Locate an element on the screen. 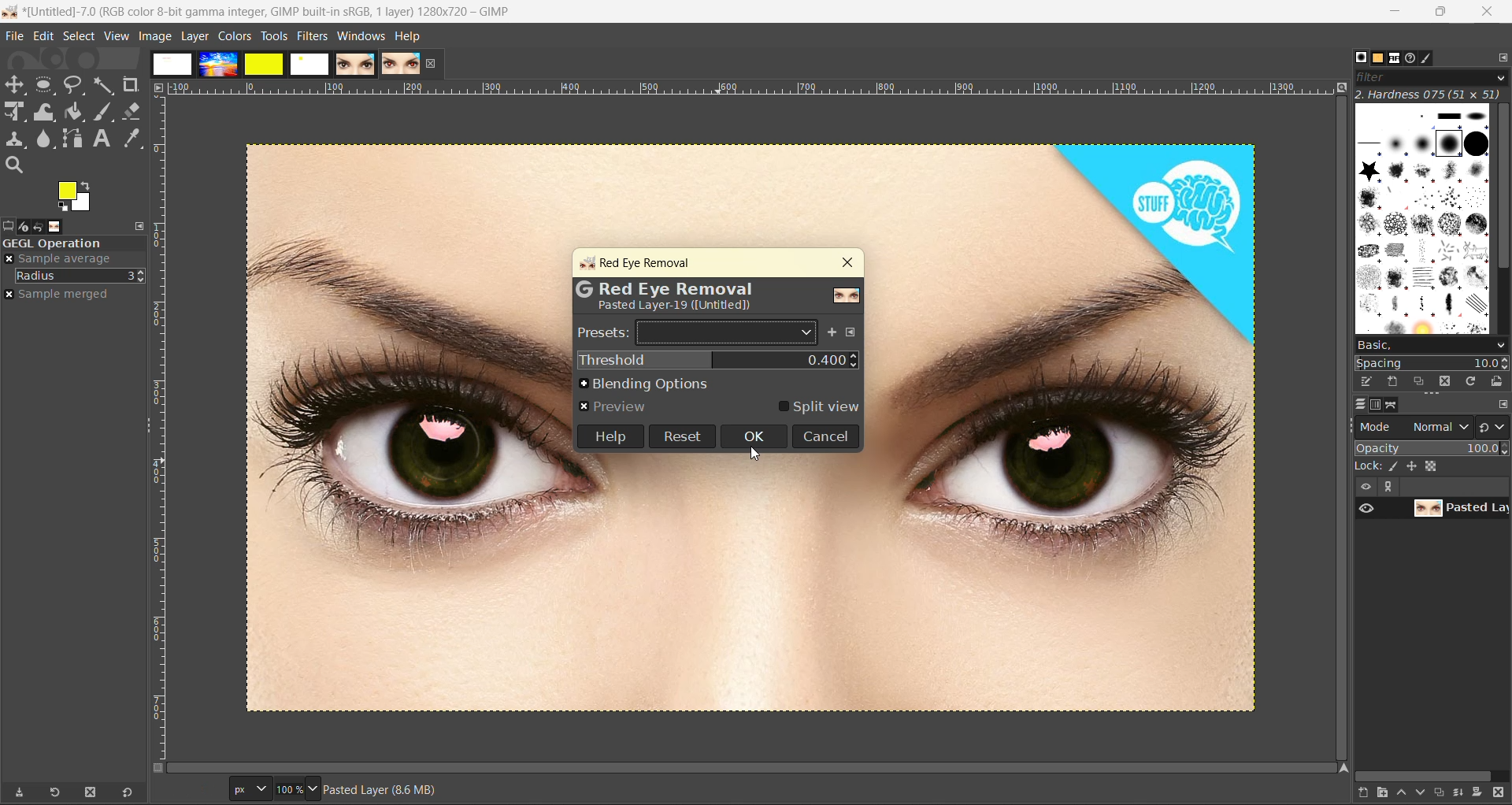 Image resolution: width=1512 pixels, height=805 pixels. delete this layer is located at coordinates (1503, 796).